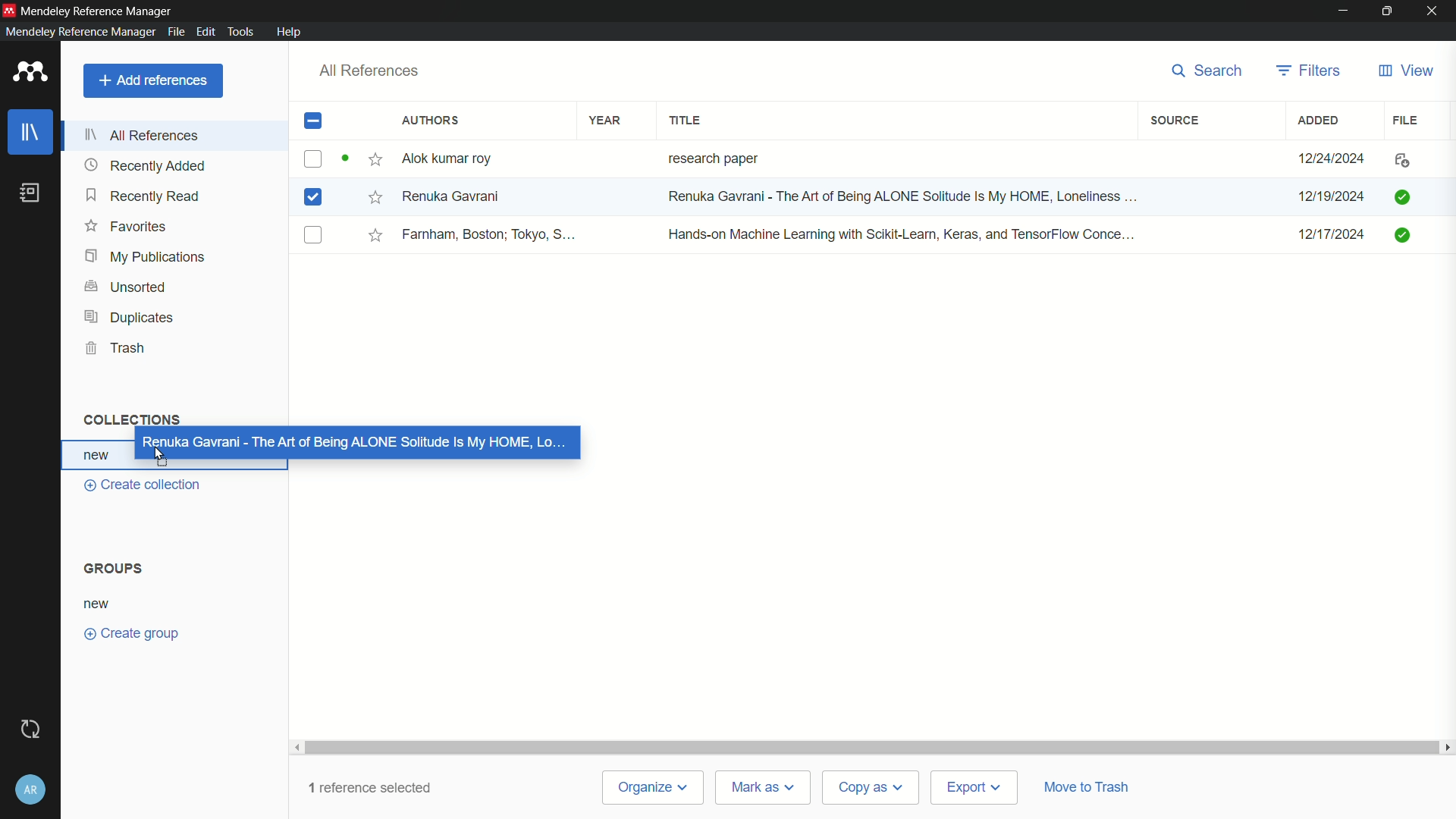 The image size is (1456, 819). Describe the element at coordinates (290, 31) in the screenshot. I see `help menu` at that location.